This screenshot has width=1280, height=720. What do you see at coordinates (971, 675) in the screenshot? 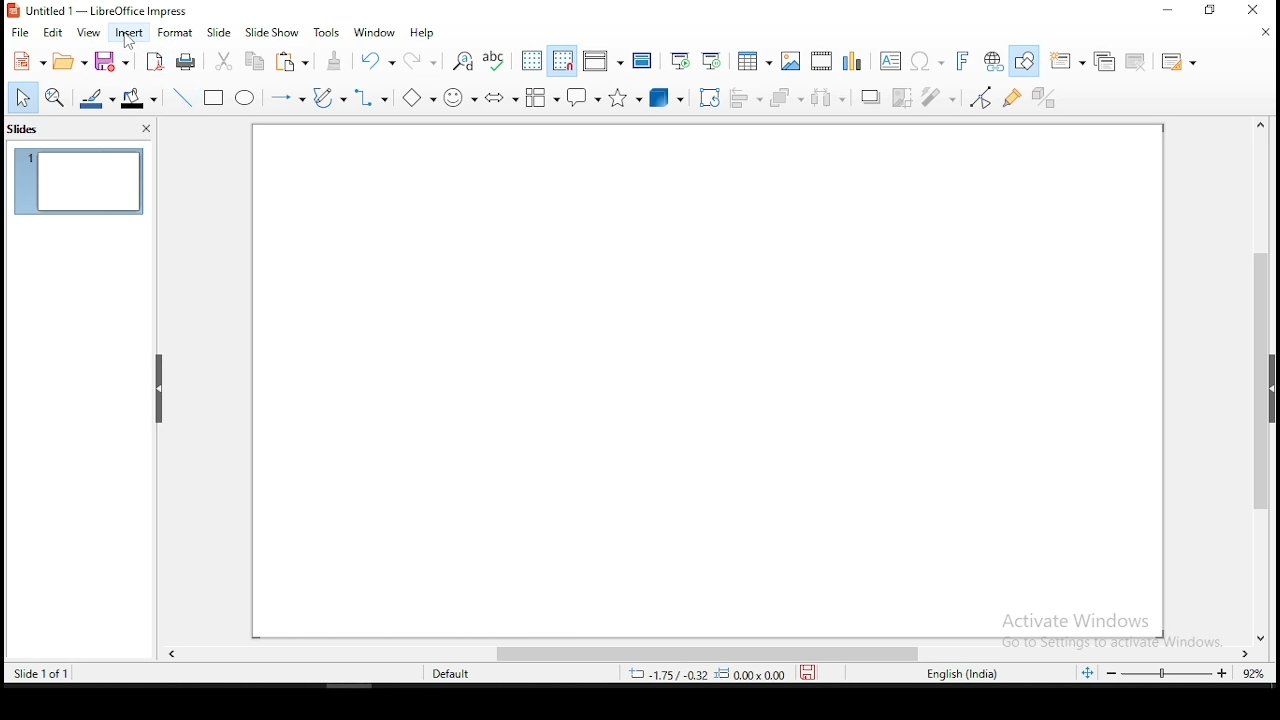
I see `english (india)` at bounding box center [971, 675].